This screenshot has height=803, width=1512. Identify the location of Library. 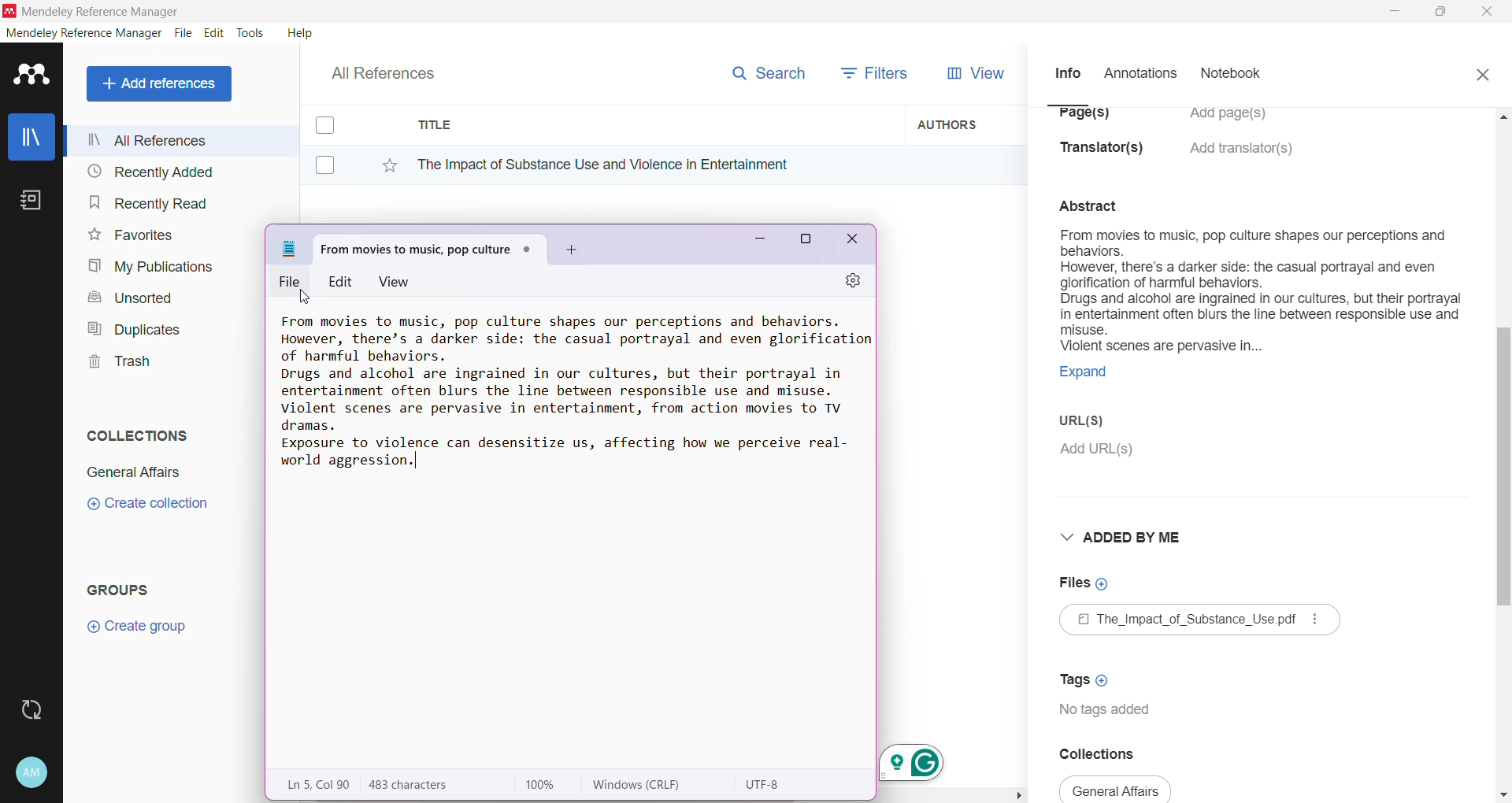
(31, 139).